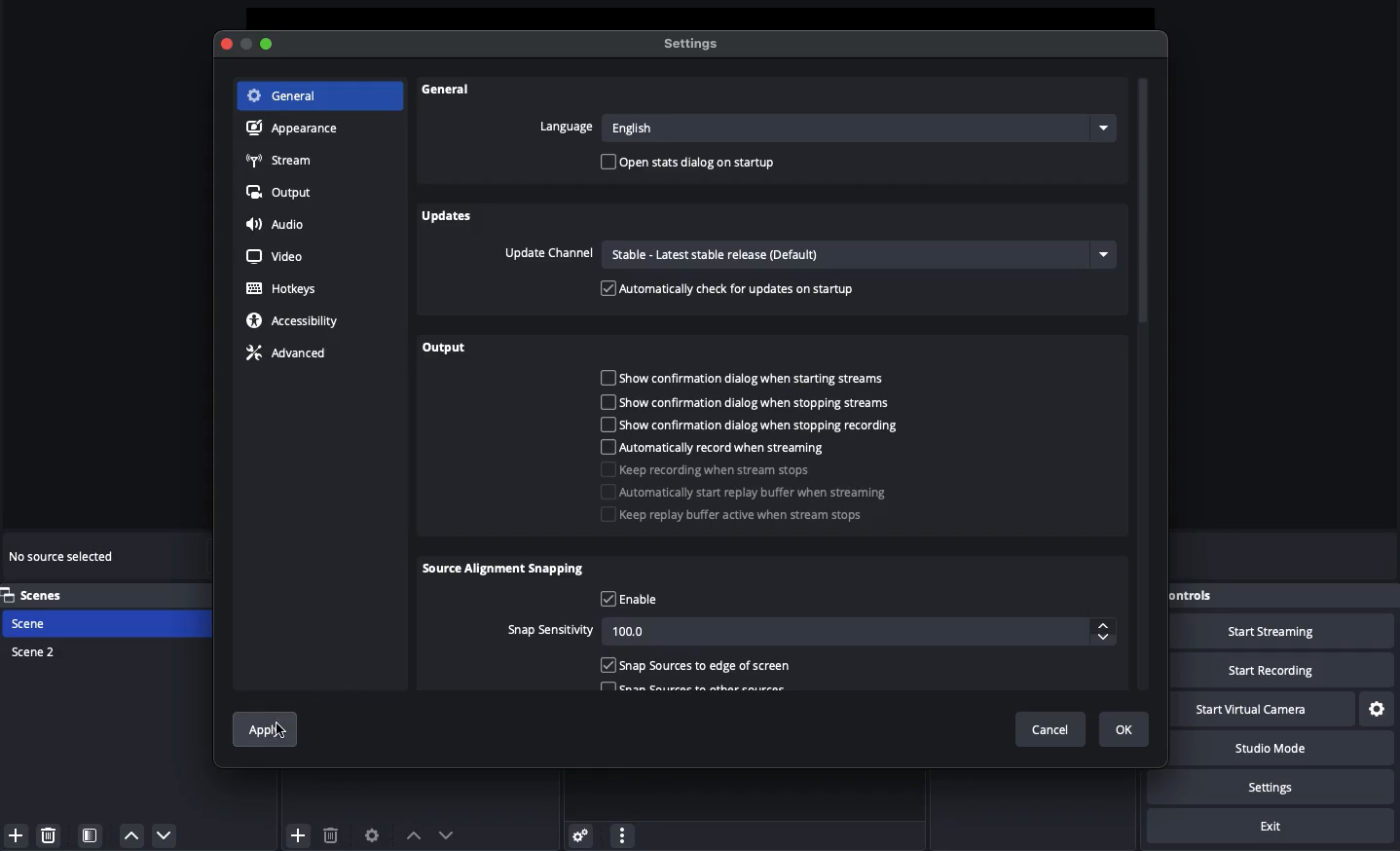 This screenshot has height=851, width=1400. I want to click on Settings, so click(695, 45).